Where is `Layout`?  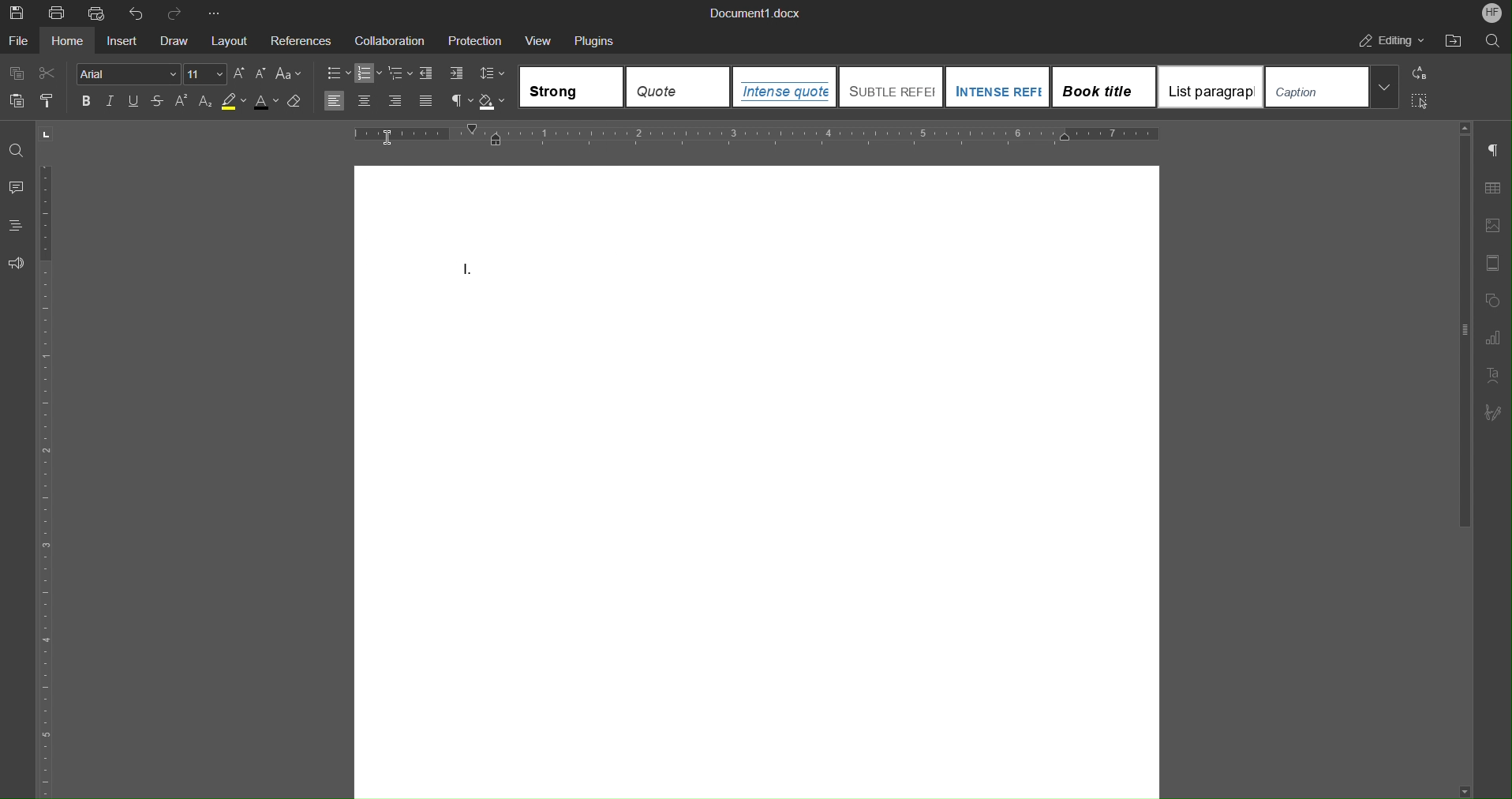 Layout is located at coordinates (229, 41).